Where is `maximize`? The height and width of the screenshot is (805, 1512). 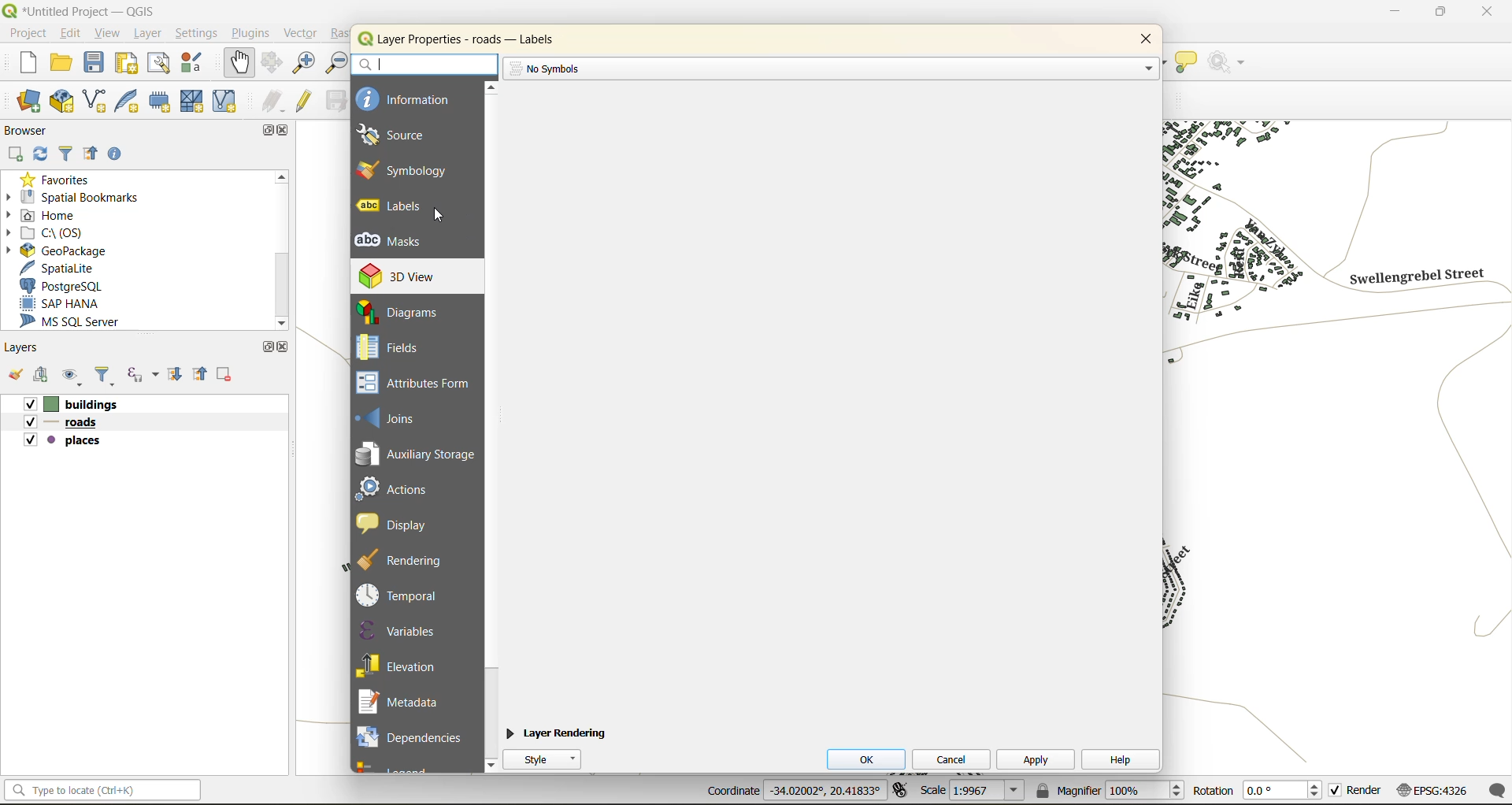 maximize is located at coordinates (269, 132).